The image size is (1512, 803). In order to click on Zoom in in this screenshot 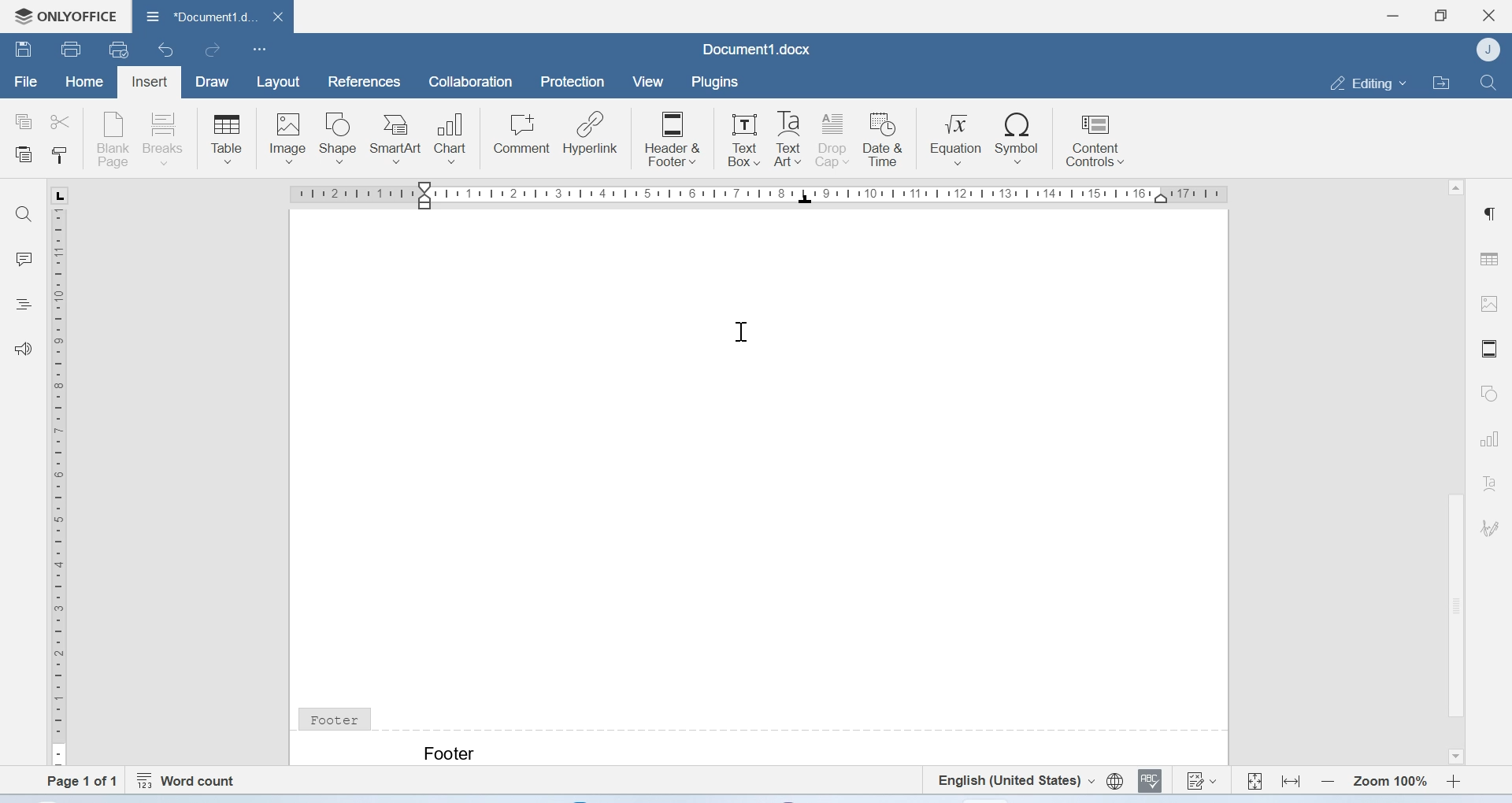, I will do `click(1454, 779)`.